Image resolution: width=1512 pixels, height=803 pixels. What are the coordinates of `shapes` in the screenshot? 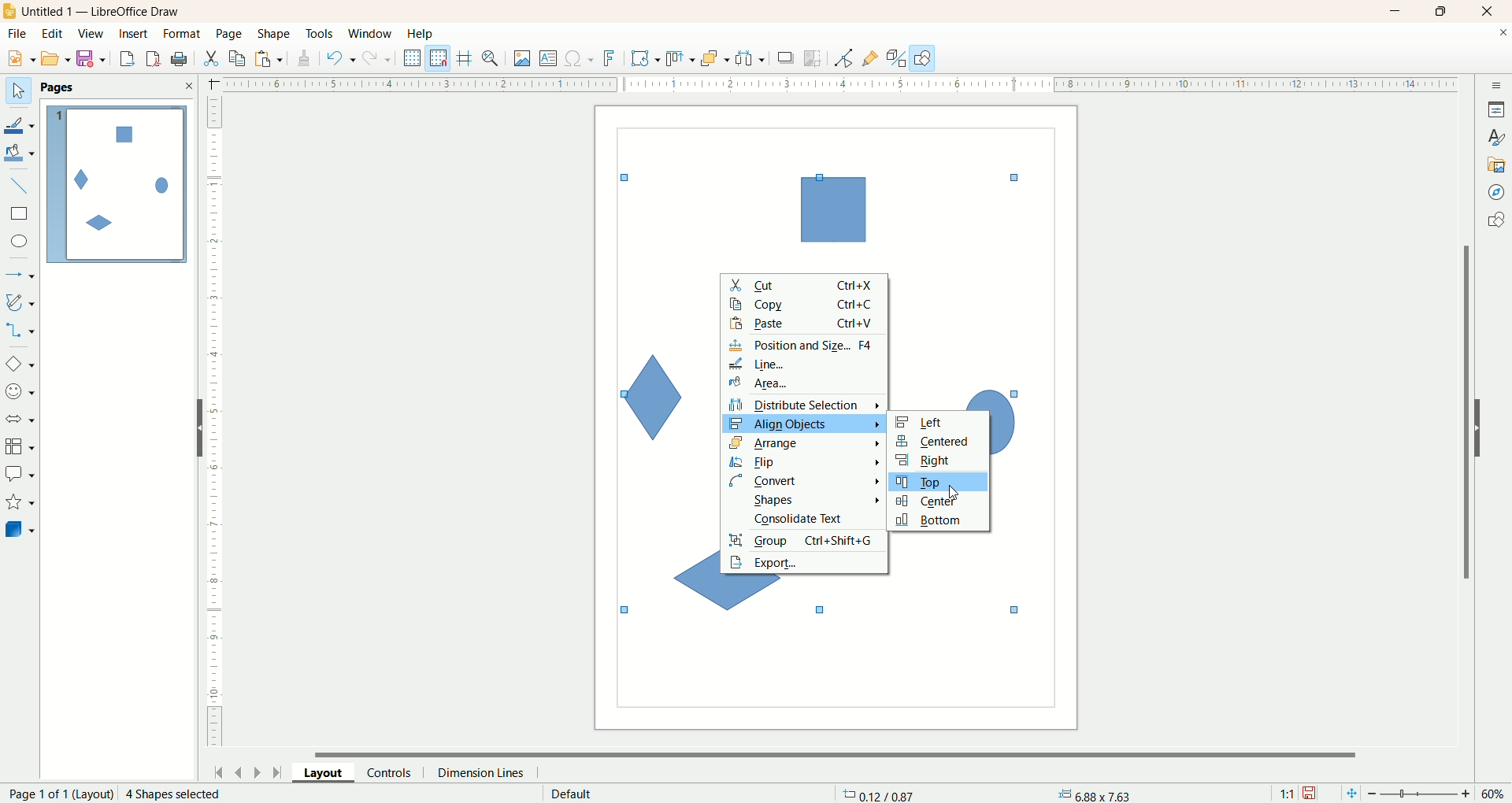 It's located at (1495, 222).